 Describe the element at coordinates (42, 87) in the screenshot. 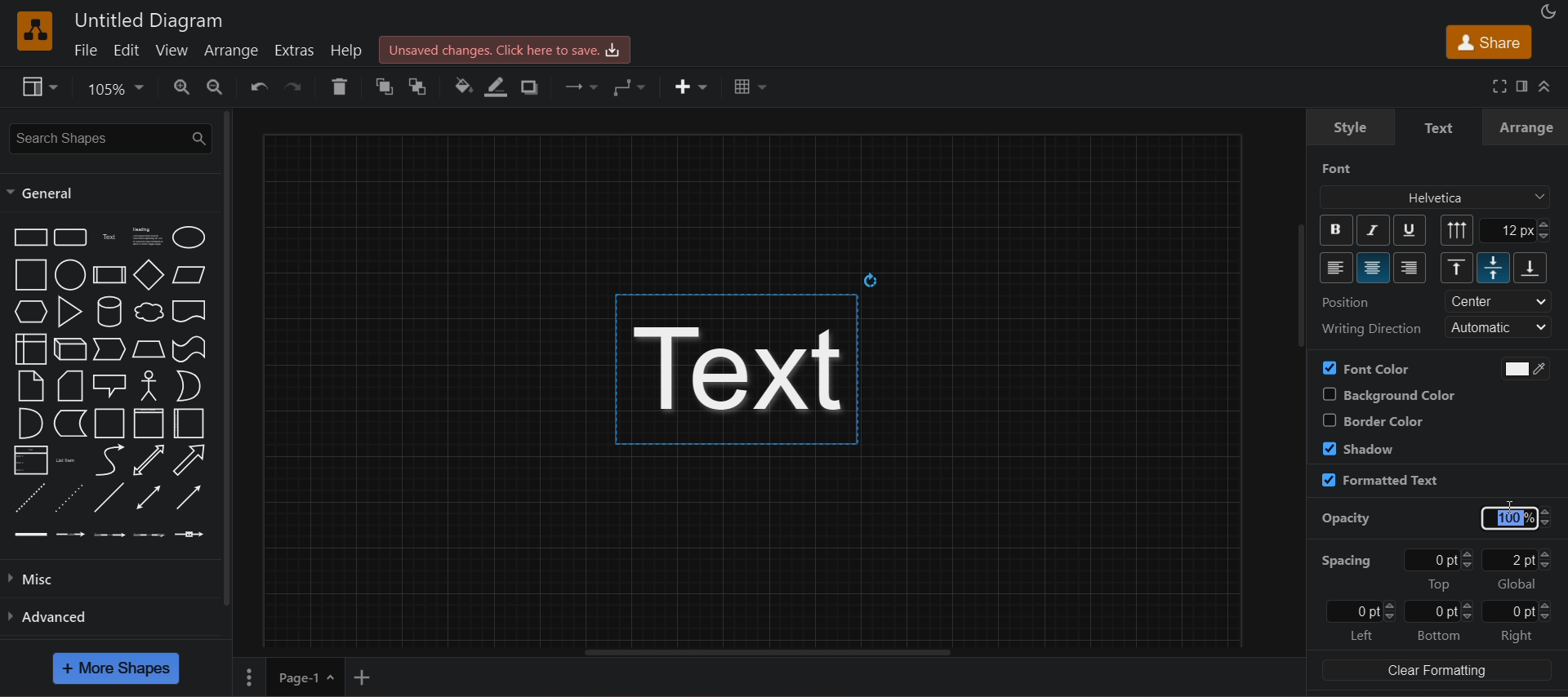

I see `view` at that location.